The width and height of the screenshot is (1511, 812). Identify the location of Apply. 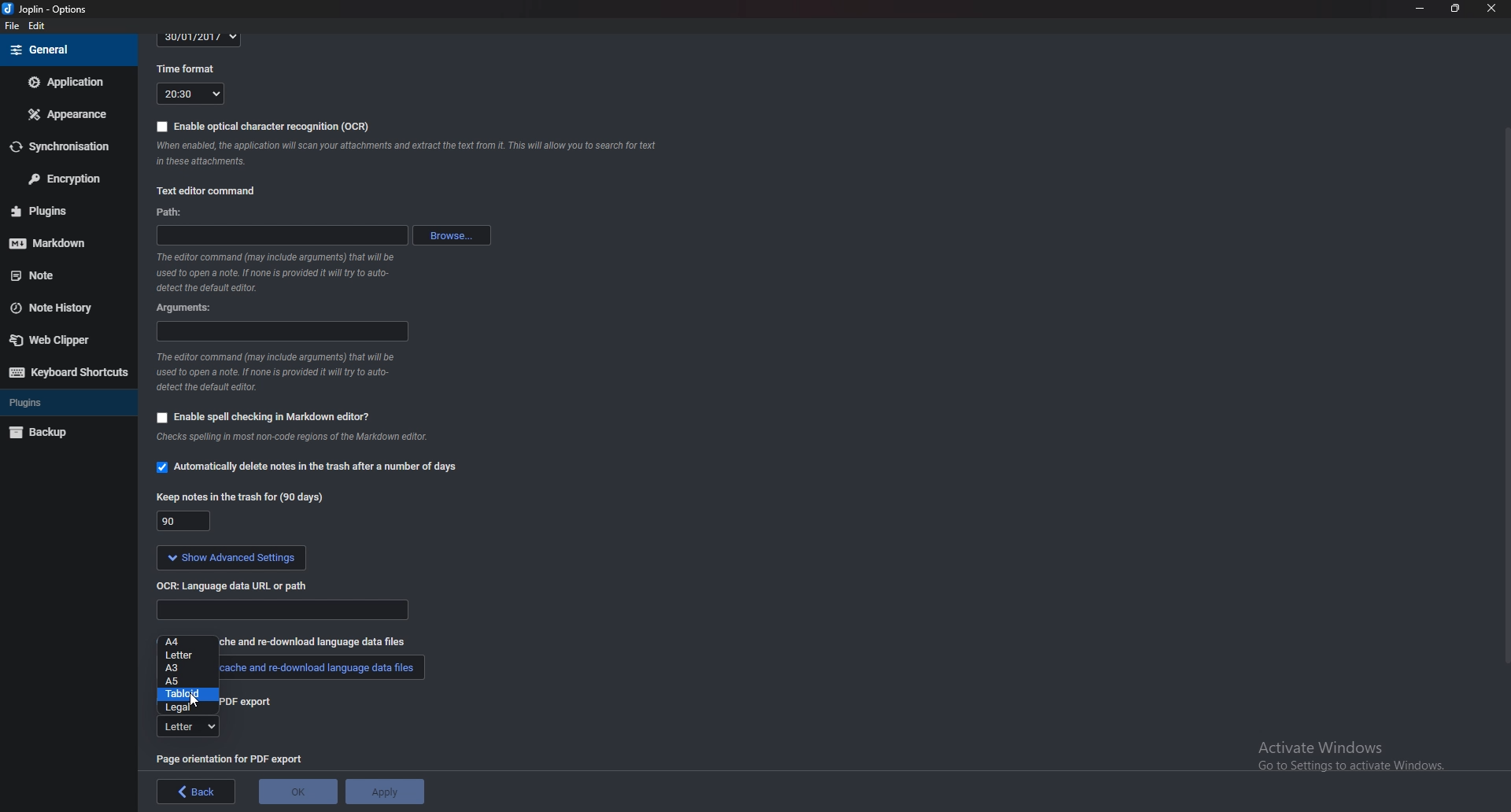
(385, 792).